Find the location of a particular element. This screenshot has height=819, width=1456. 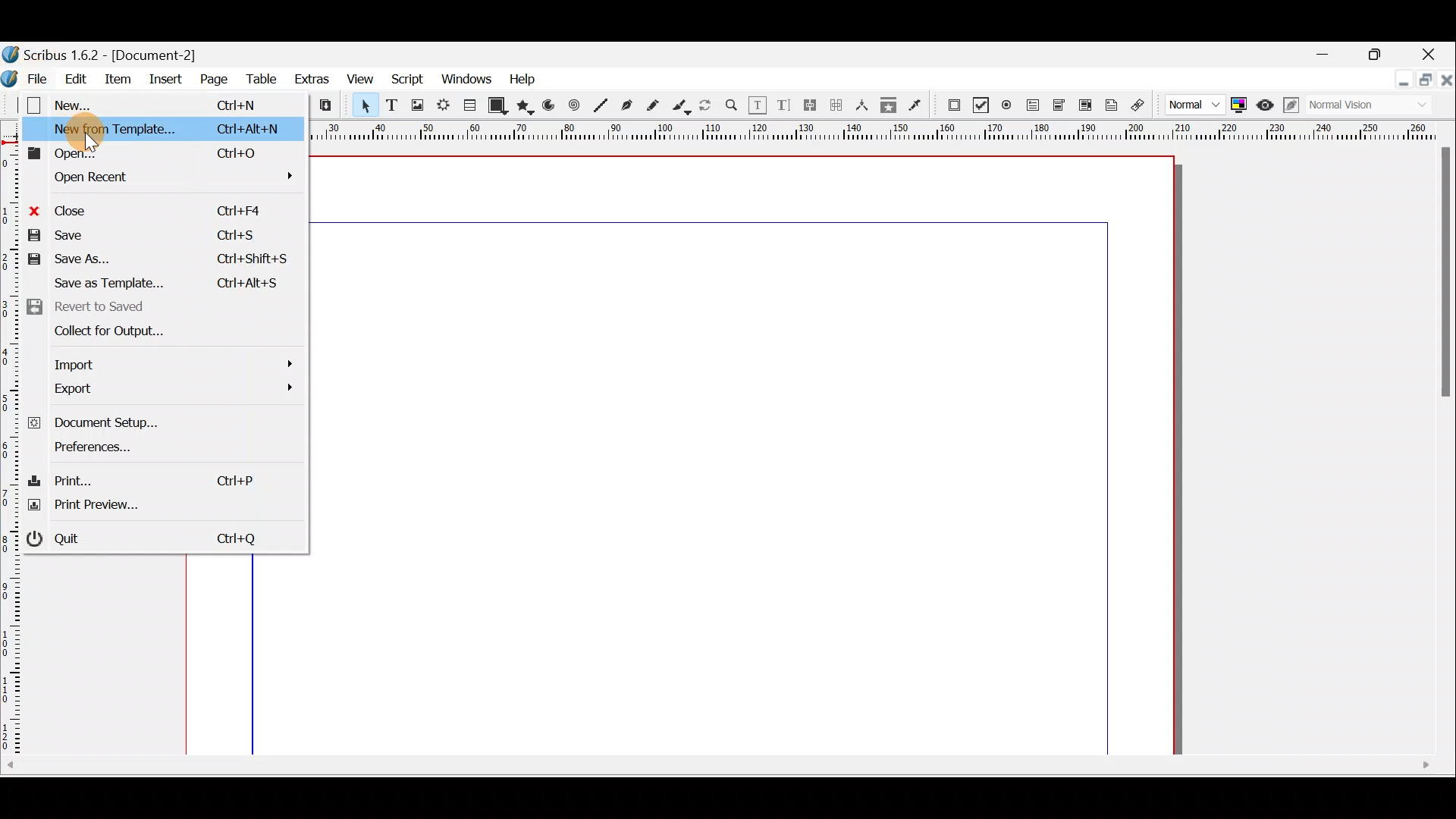

Arc is located at coordinates (549, 107).